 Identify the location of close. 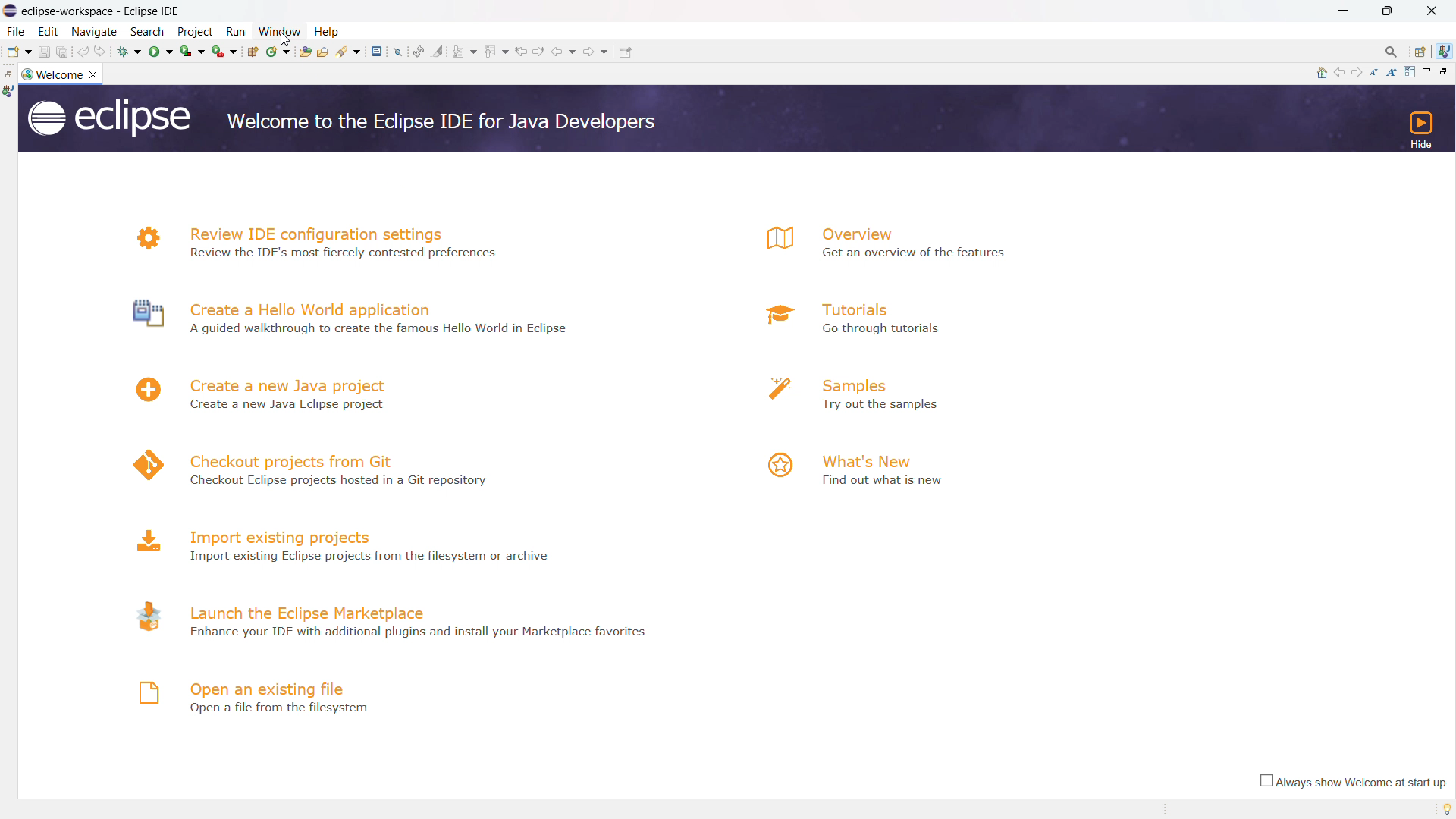
(96, 74).